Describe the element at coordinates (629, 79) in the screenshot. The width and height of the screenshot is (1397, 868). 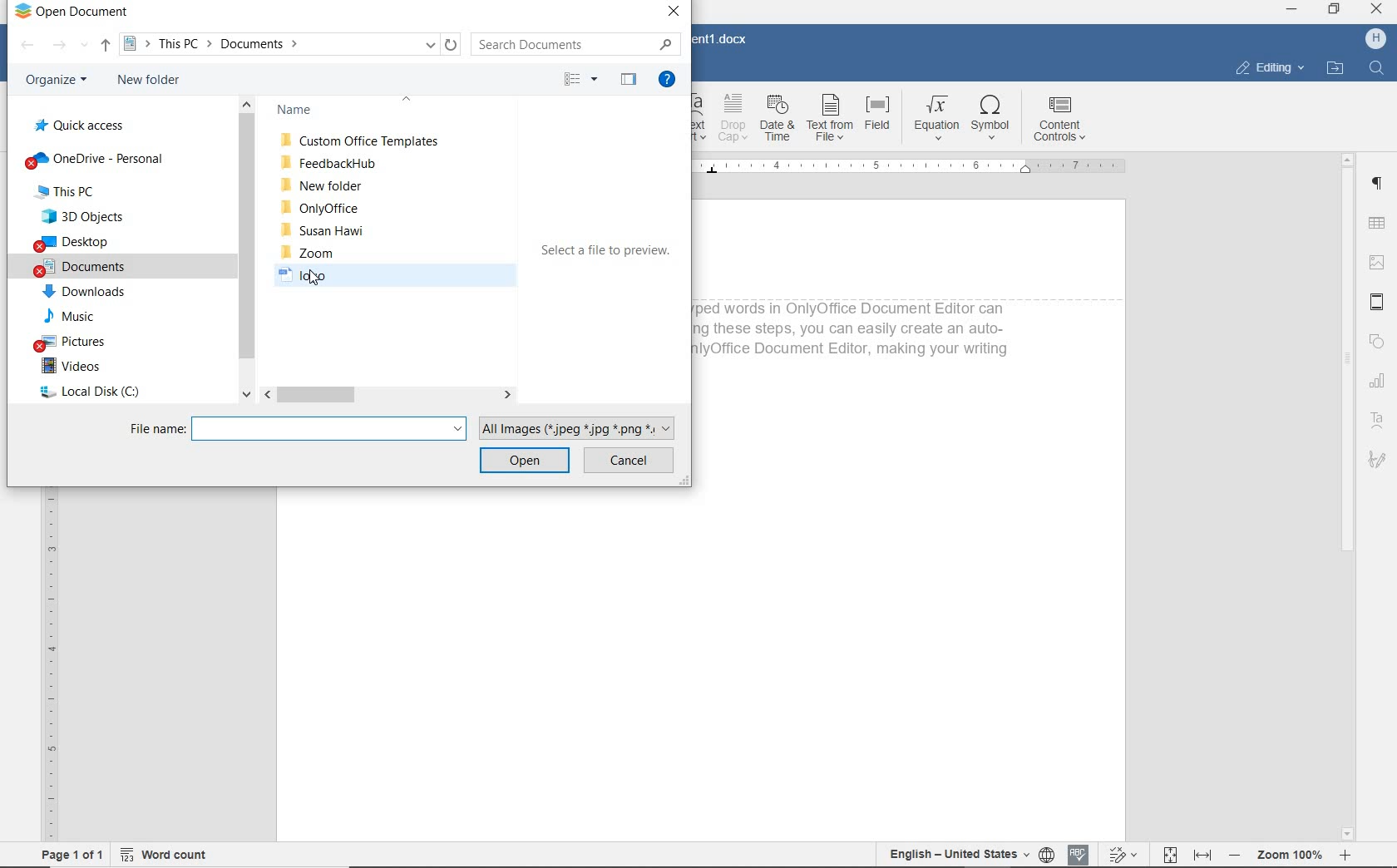
I see `HIDE THE PREVIEW PANE` at that location.